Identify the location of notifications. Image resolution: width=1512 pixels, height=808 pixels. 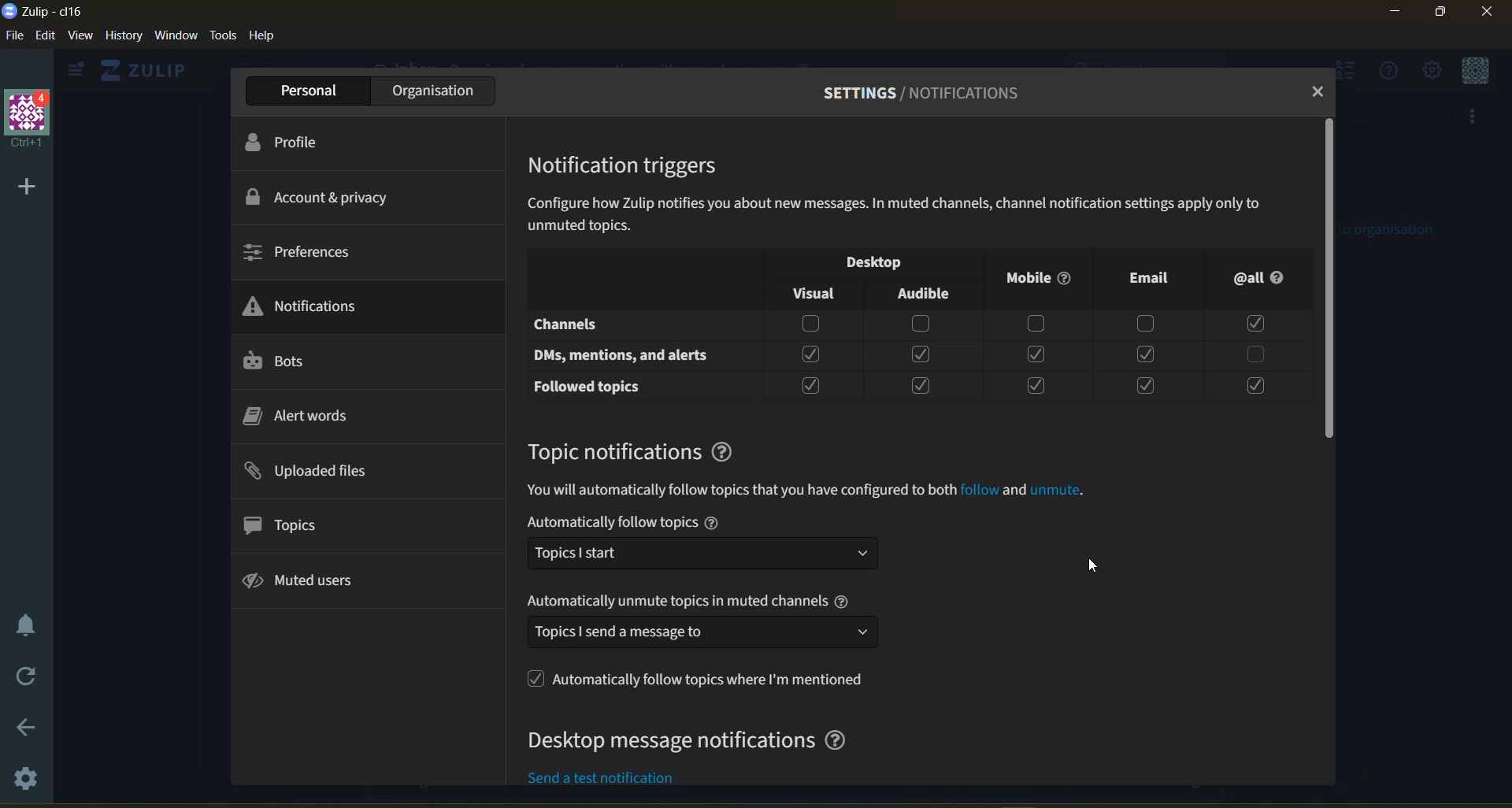
(309, 304).